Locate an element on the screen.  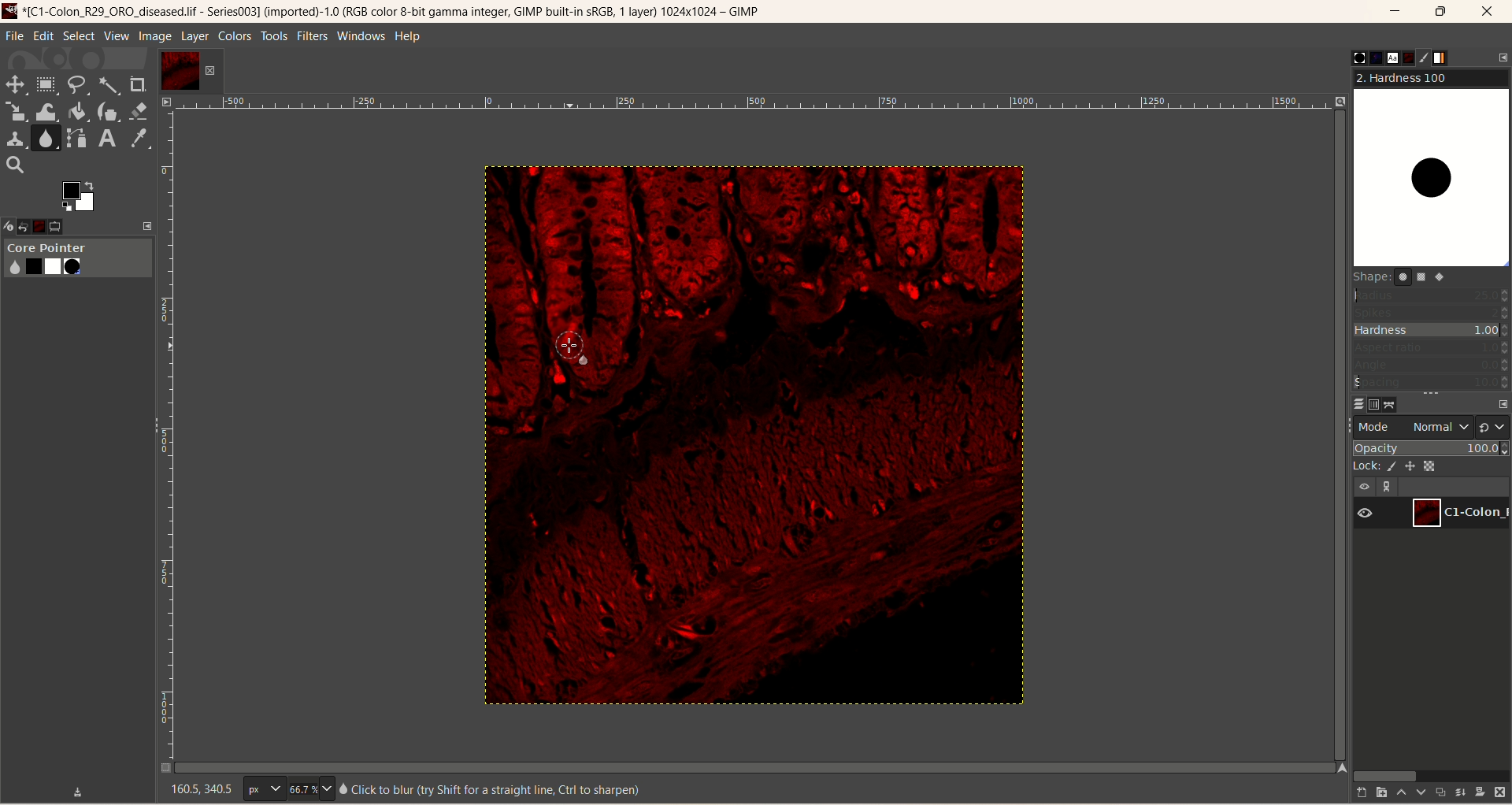
brushes is located at coordinates (1347, 57).